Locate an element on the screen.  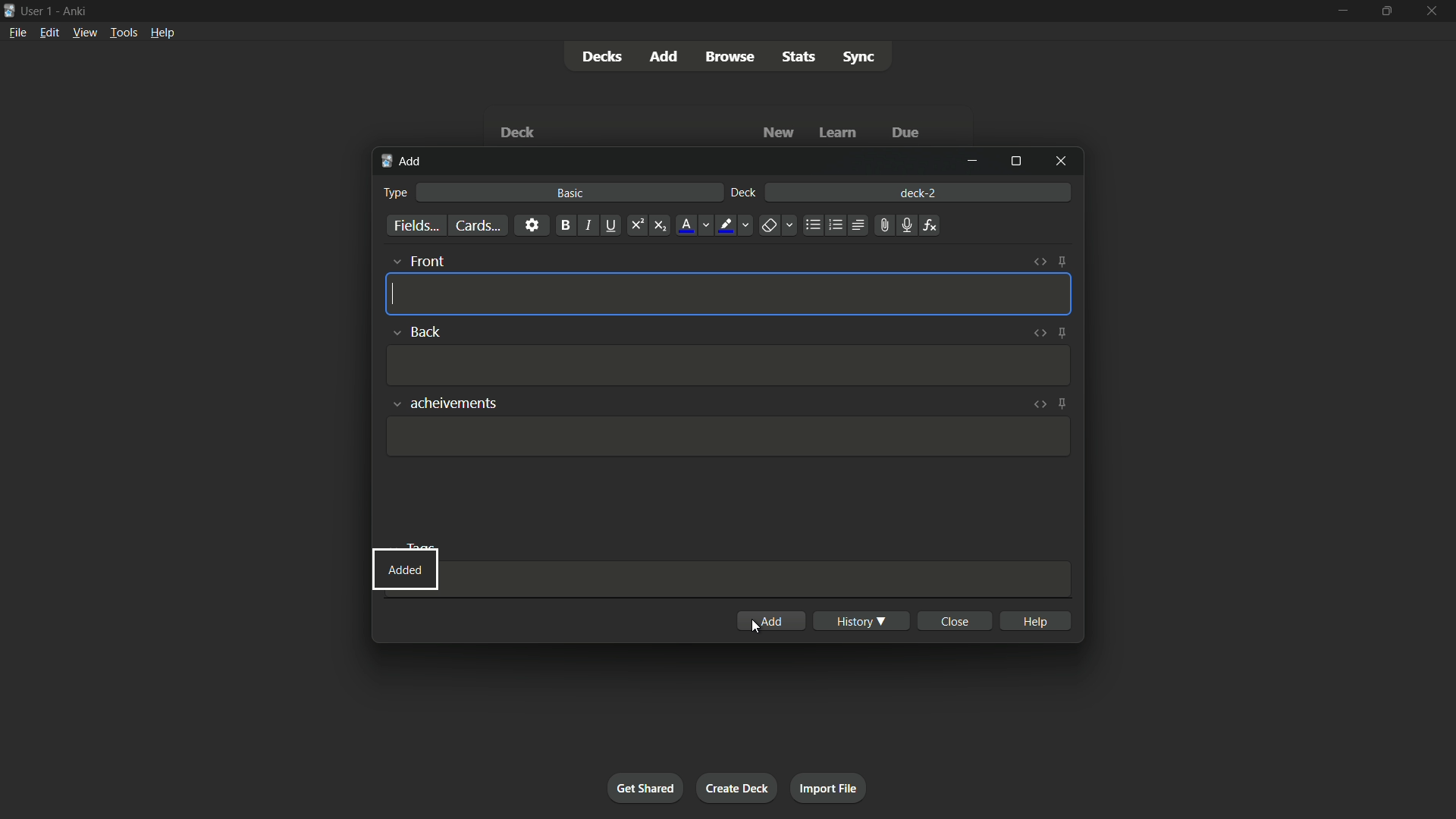
Deck is located at coordinates (516, 132).